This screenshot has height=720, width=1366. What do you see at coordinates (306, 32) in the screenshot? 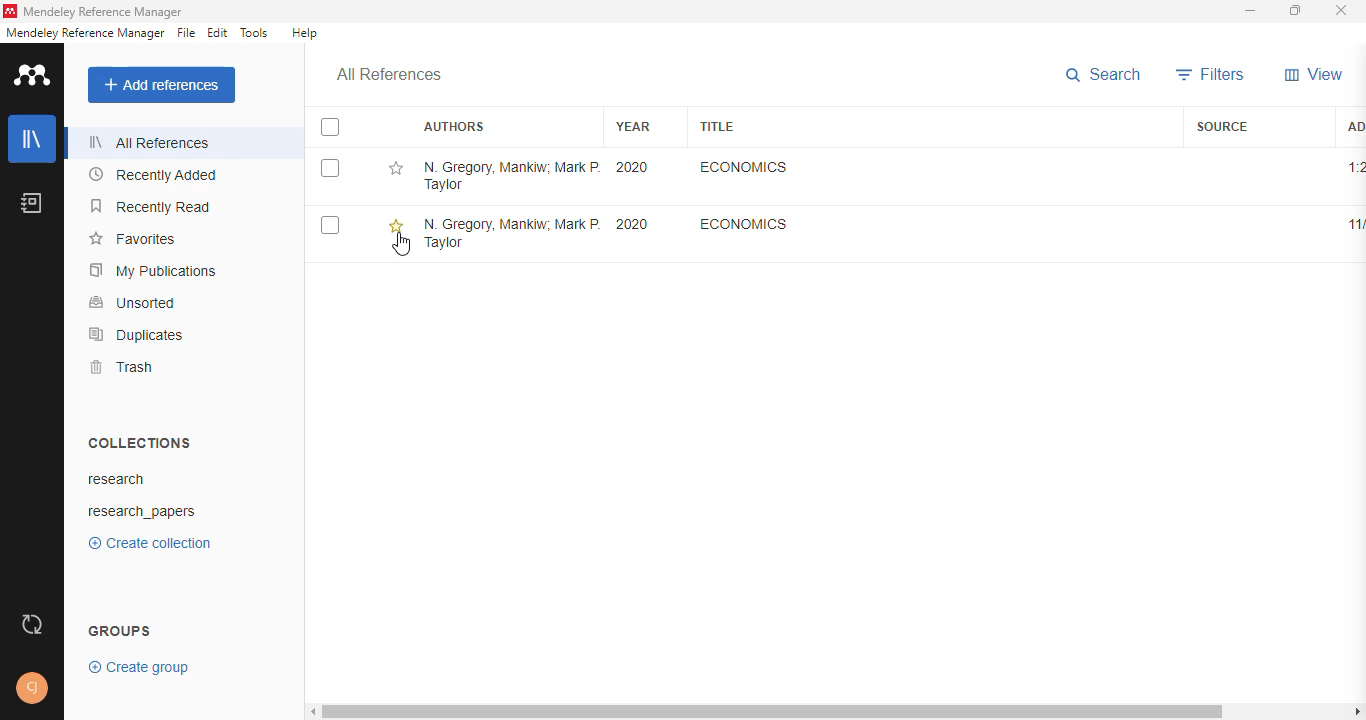
I see `help` at bounding box center [306, 32].